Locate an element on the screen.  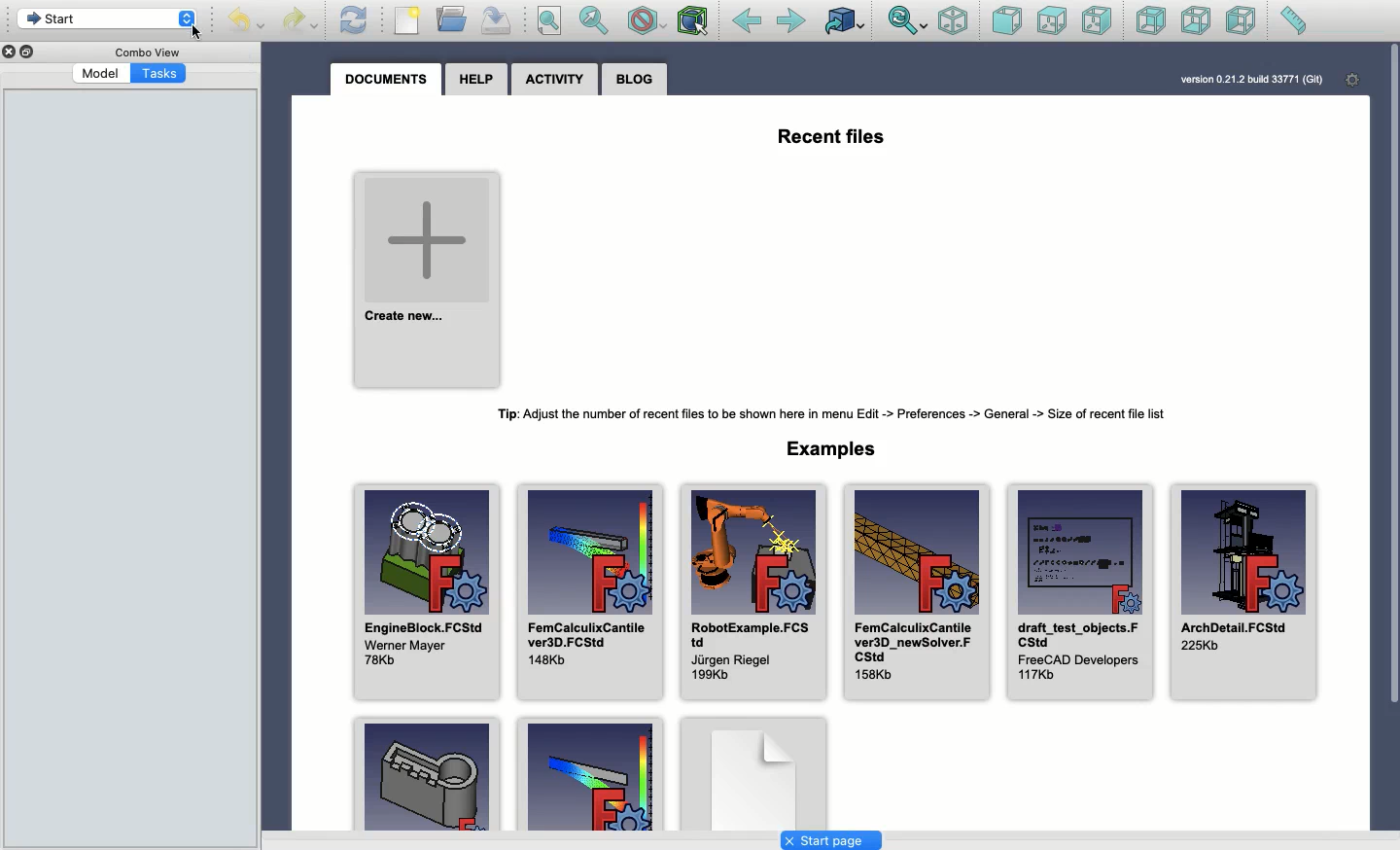
FemCalculixCantile ver3D_newSolver.FCStd 158Kb is located at coordinates (914, 592).